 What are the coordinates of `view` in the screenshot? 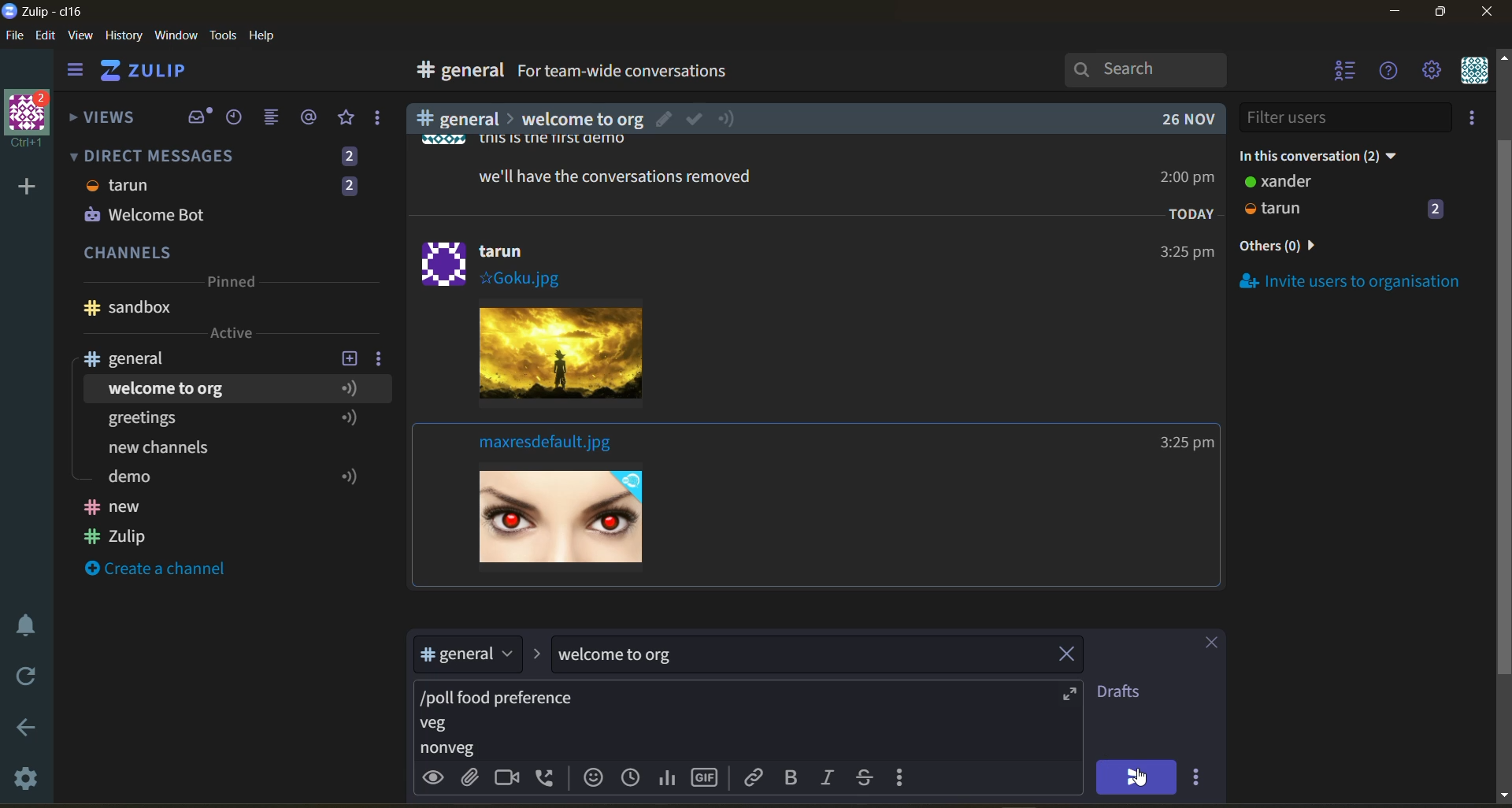 It's located at (81, 36).